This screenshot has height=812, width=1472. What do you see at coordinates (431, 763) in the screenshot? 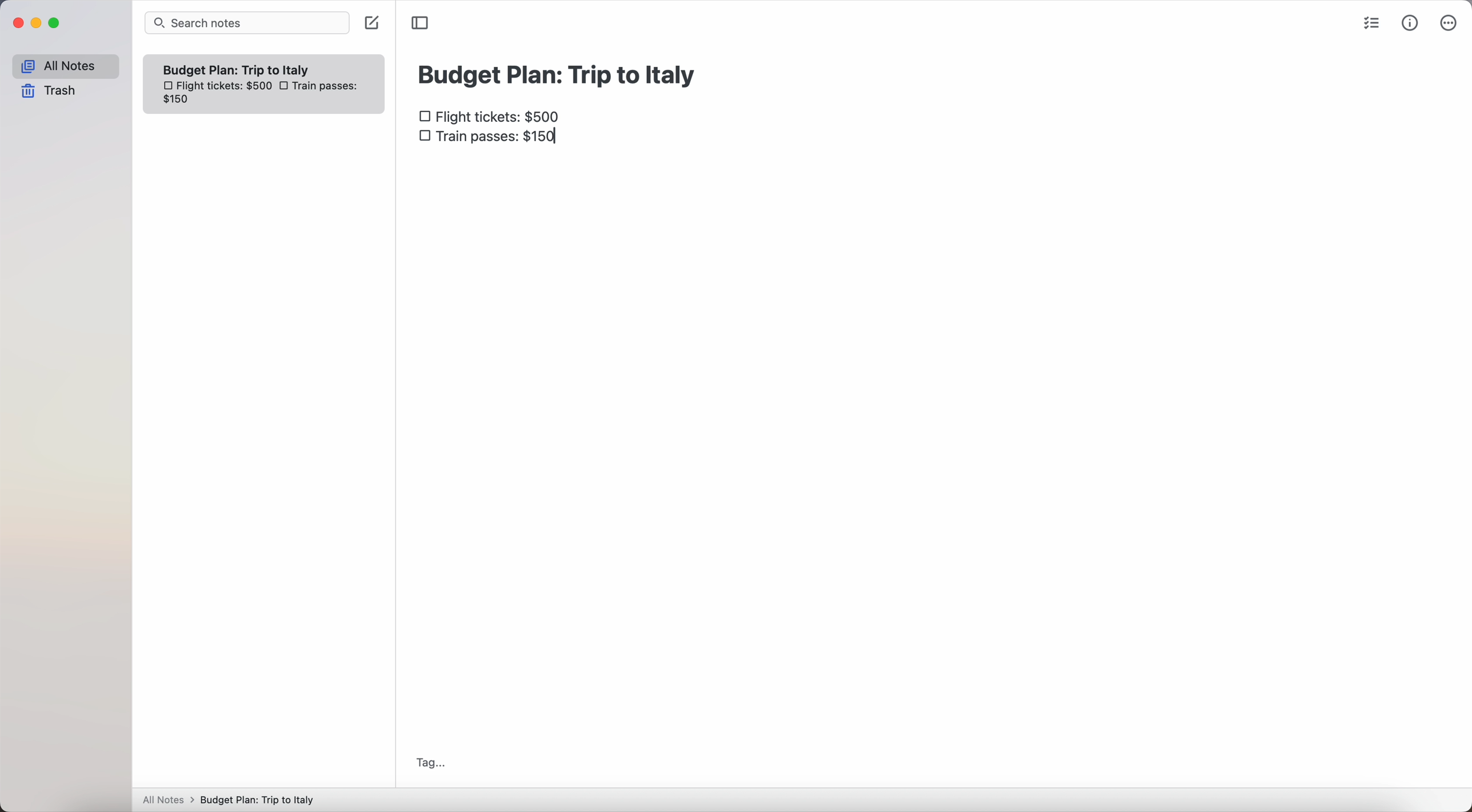
I see `tag` at bounding box center [431, 763].